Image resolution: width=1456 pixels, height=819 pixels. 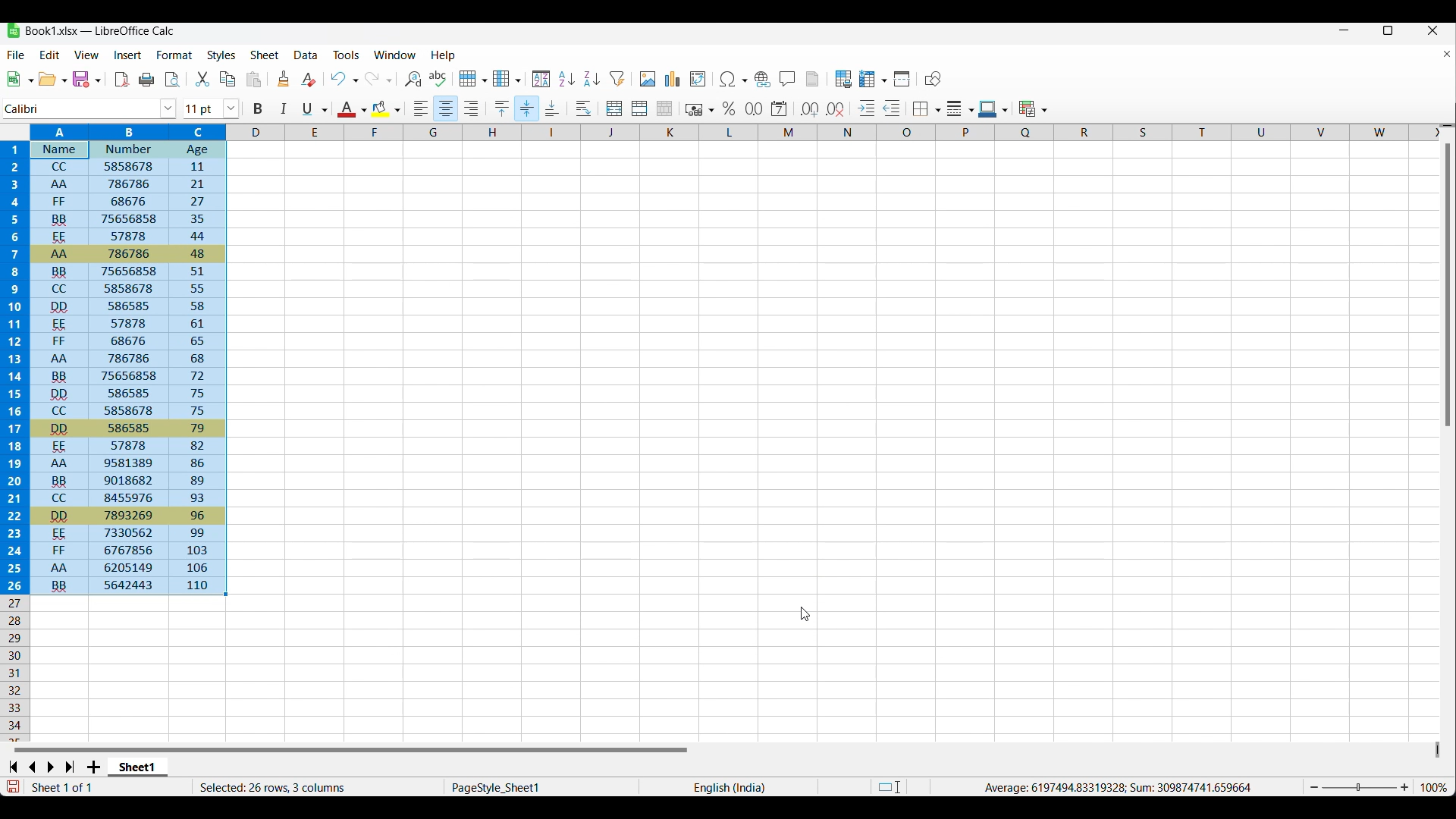 I want to click on Wrap text, so click(x=584, y=108).